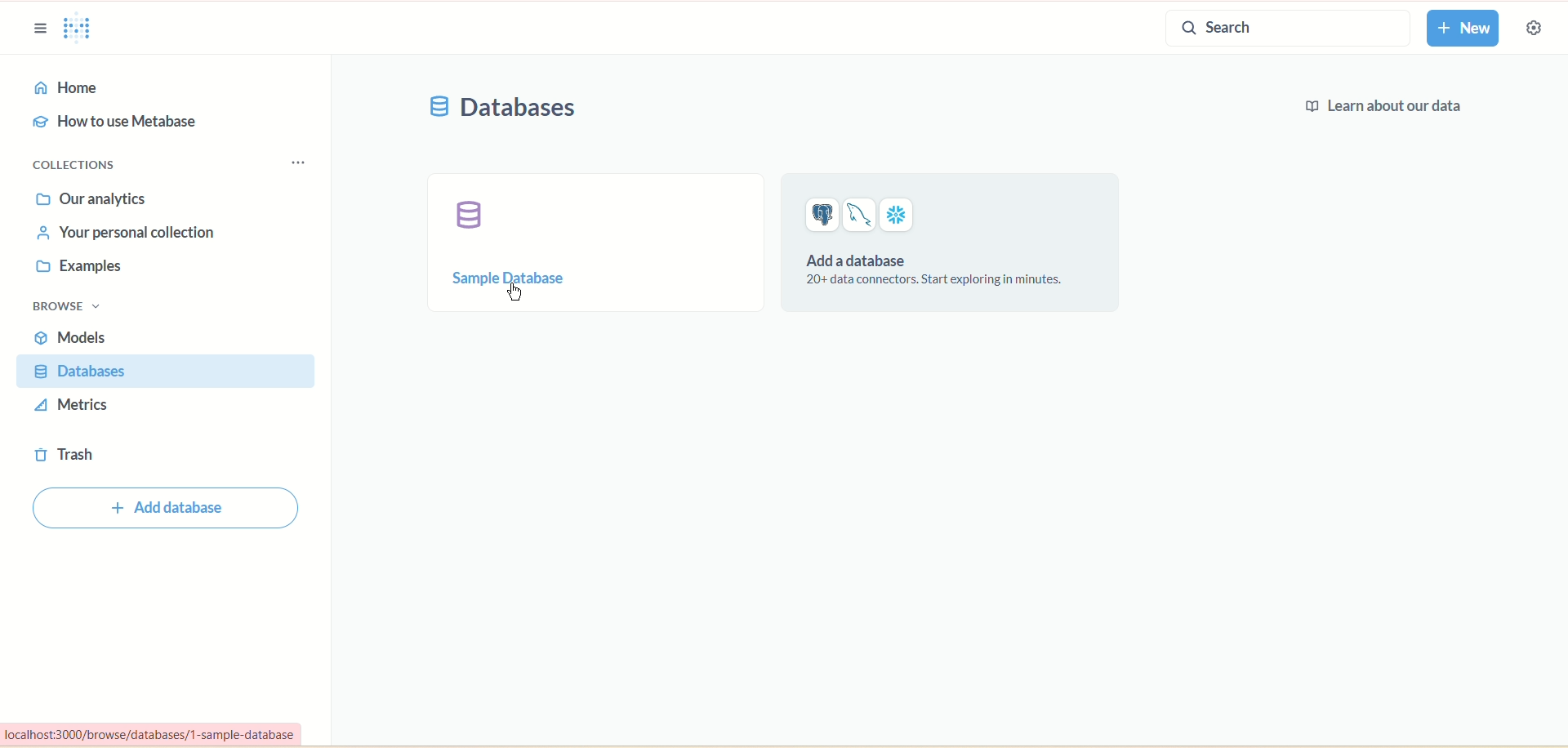 This screenshot has width=1568, height=748. What do you see at coordinates (91, 198) in the screenshot?
I see `our analytics` at bounding box center [91, 198].